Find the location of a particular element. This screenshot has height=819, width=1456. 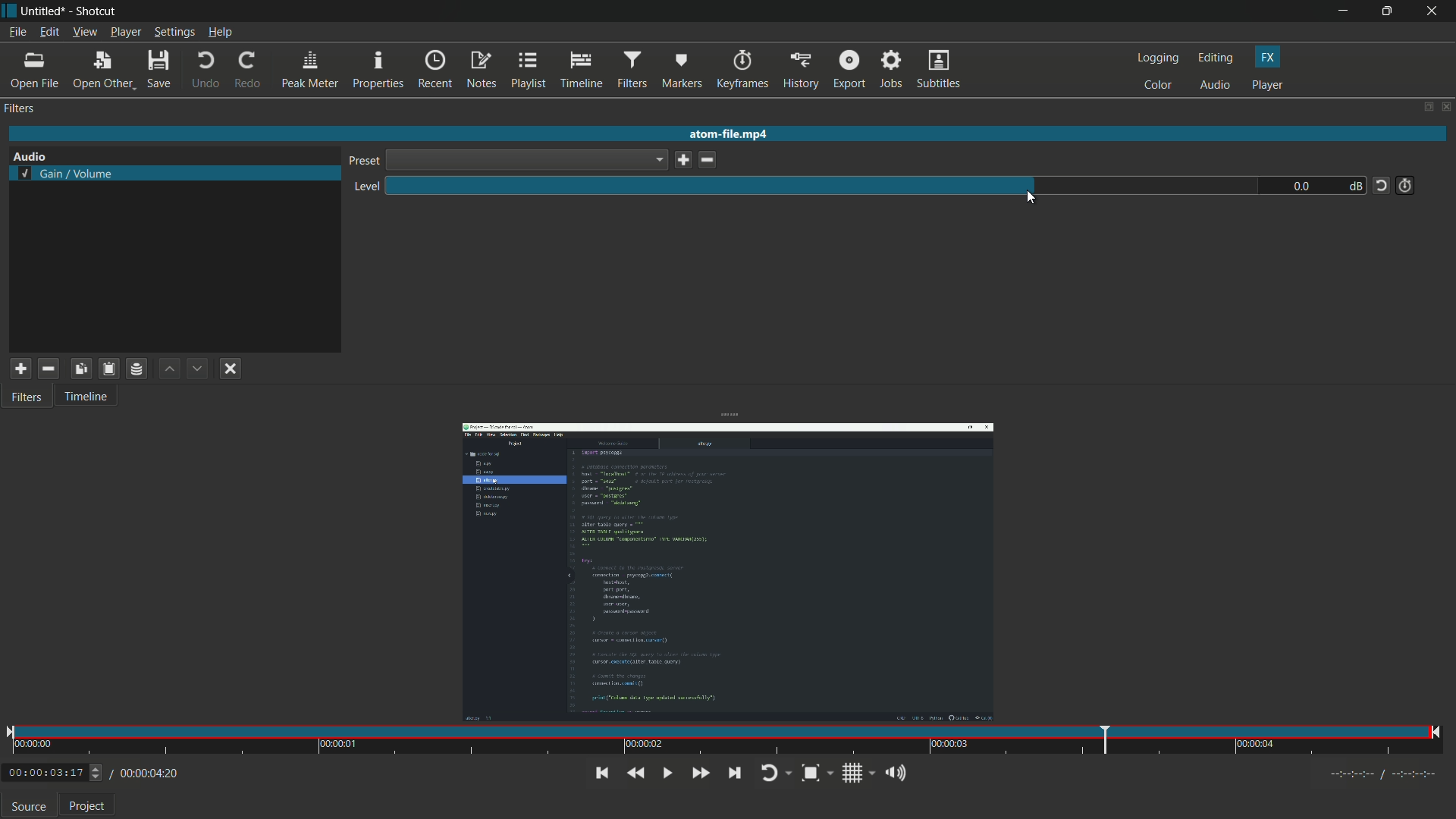

fx is located at coordinates (1267, 58).